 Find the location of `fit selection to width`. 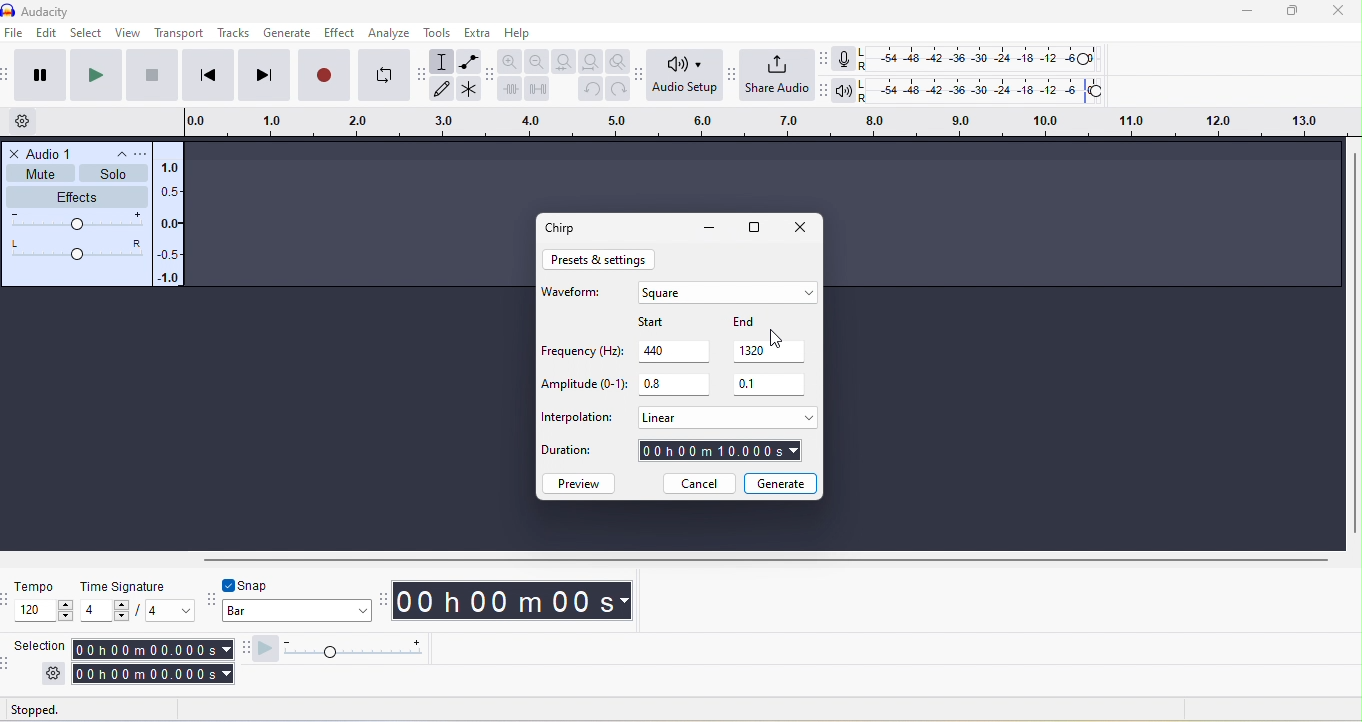

fit selection to width is located at coordinates (561, 61).